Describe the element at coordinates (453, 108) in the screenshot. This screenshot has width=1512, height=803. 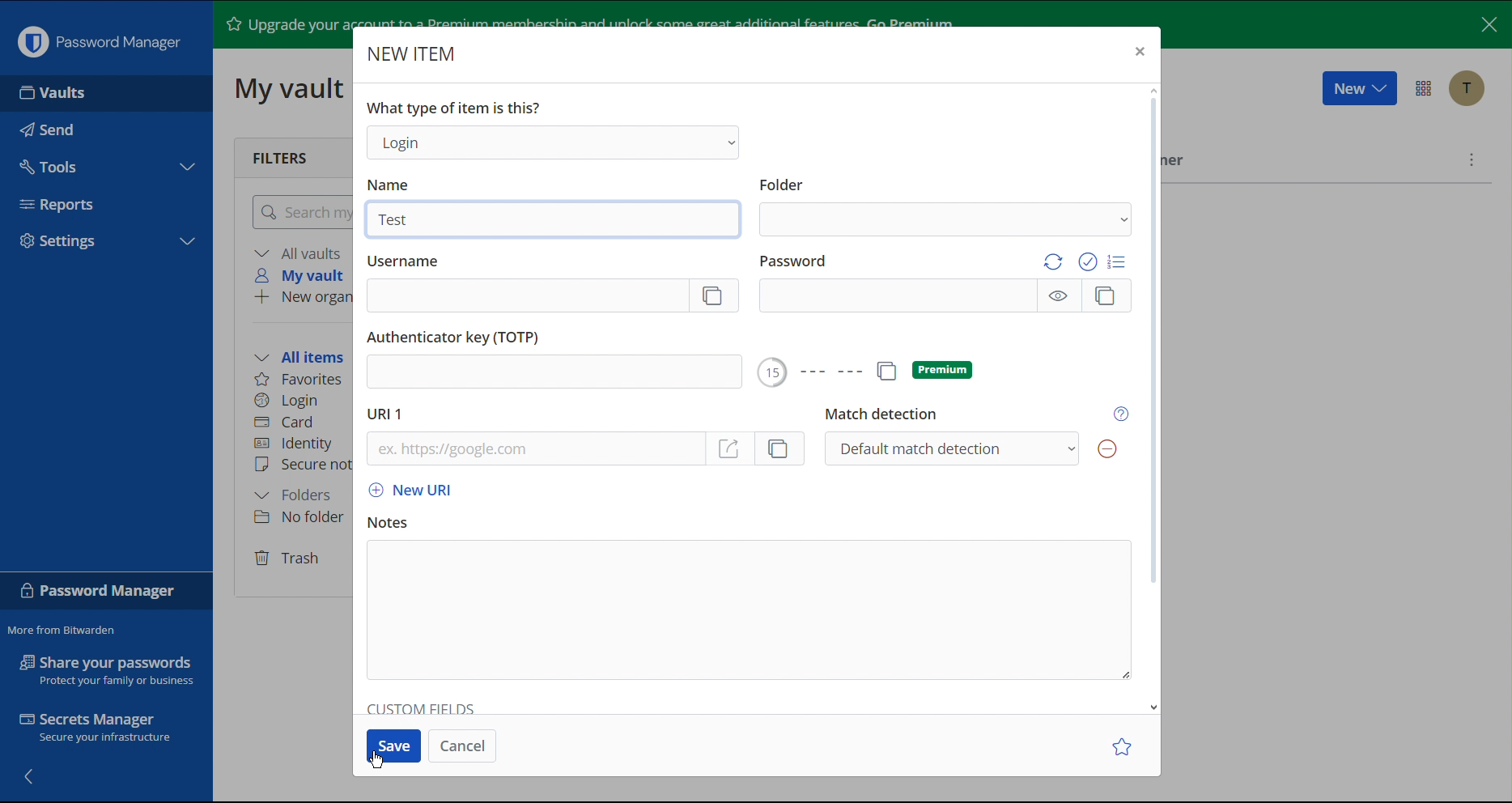
I see `What type of item is this?` at that location.